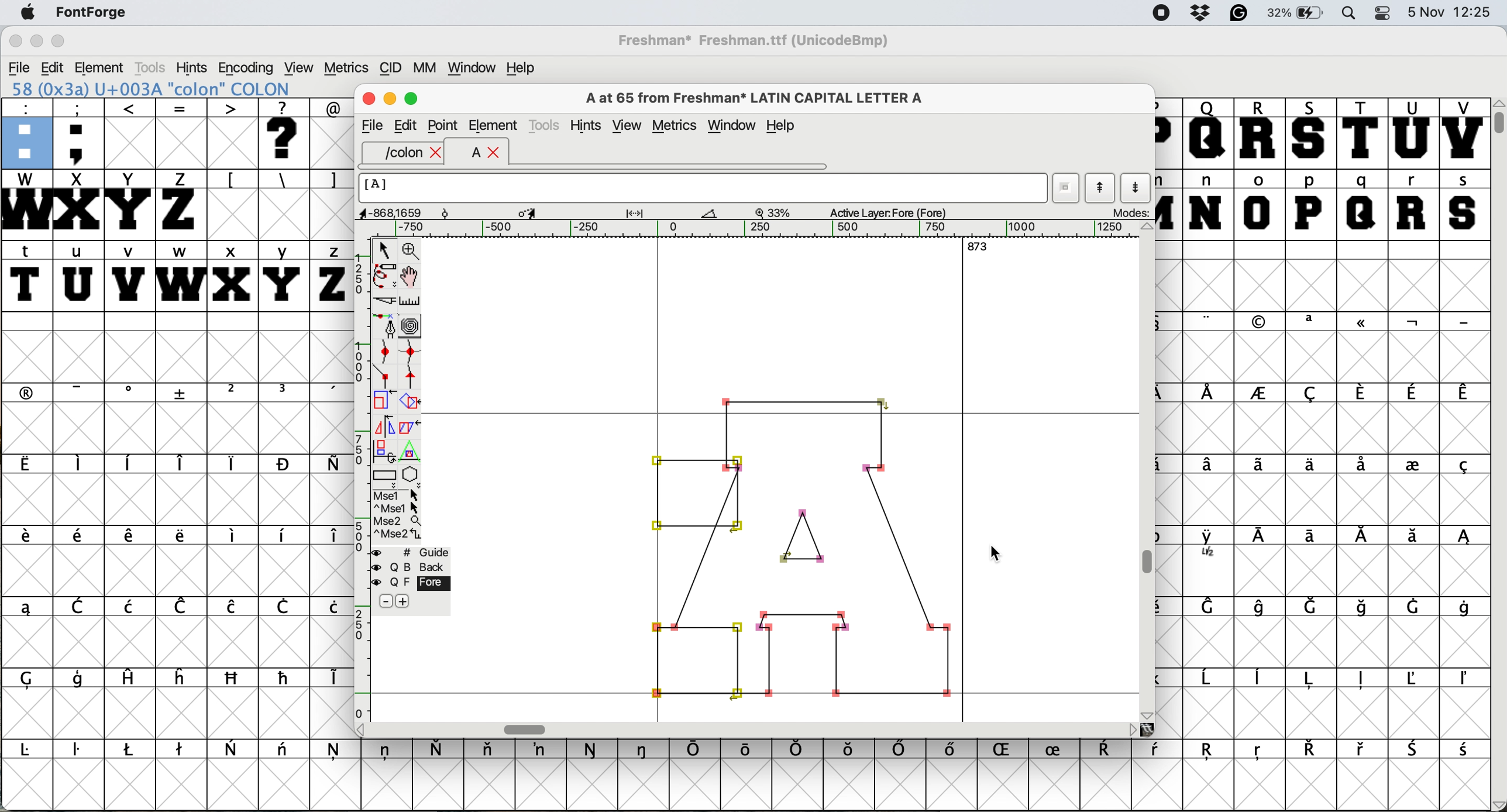  What do you see at coordinates (130, 133) in the screenshot?
I see `<` at bounding box center [130, 133].